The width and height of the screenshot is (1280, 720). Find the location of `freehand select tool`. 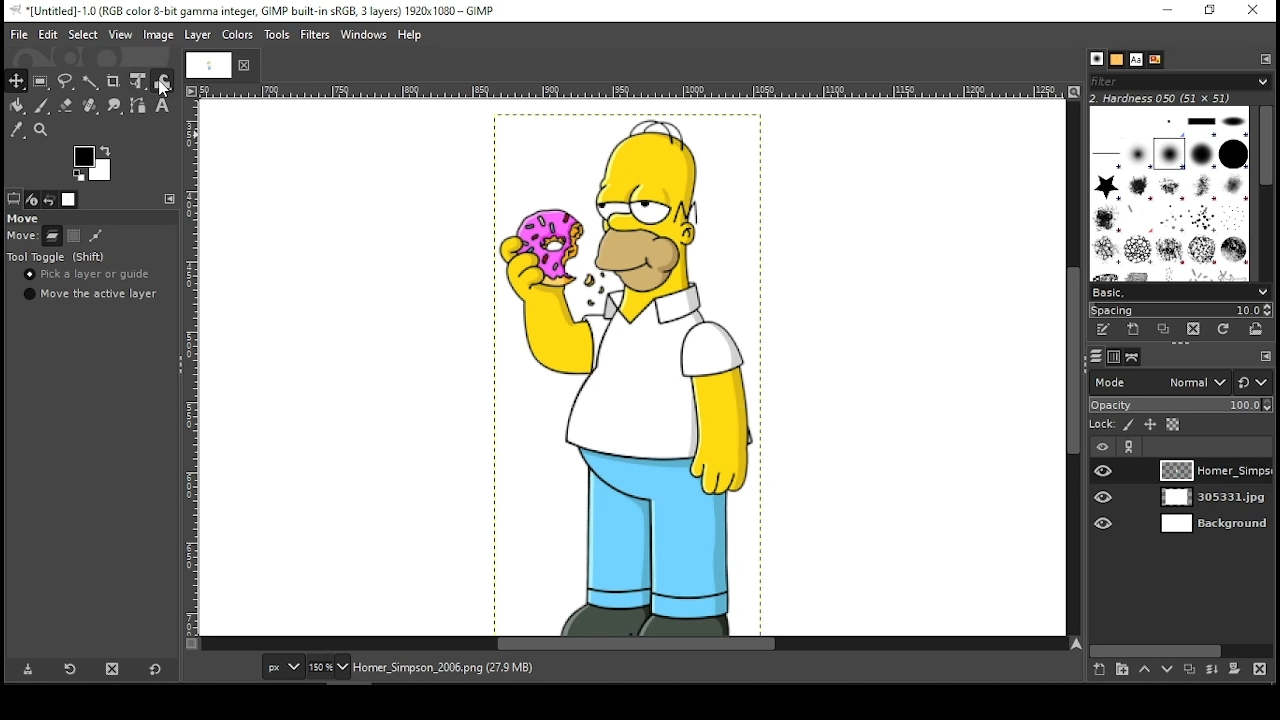

freehand select tool is located at coordinates (65, 81).